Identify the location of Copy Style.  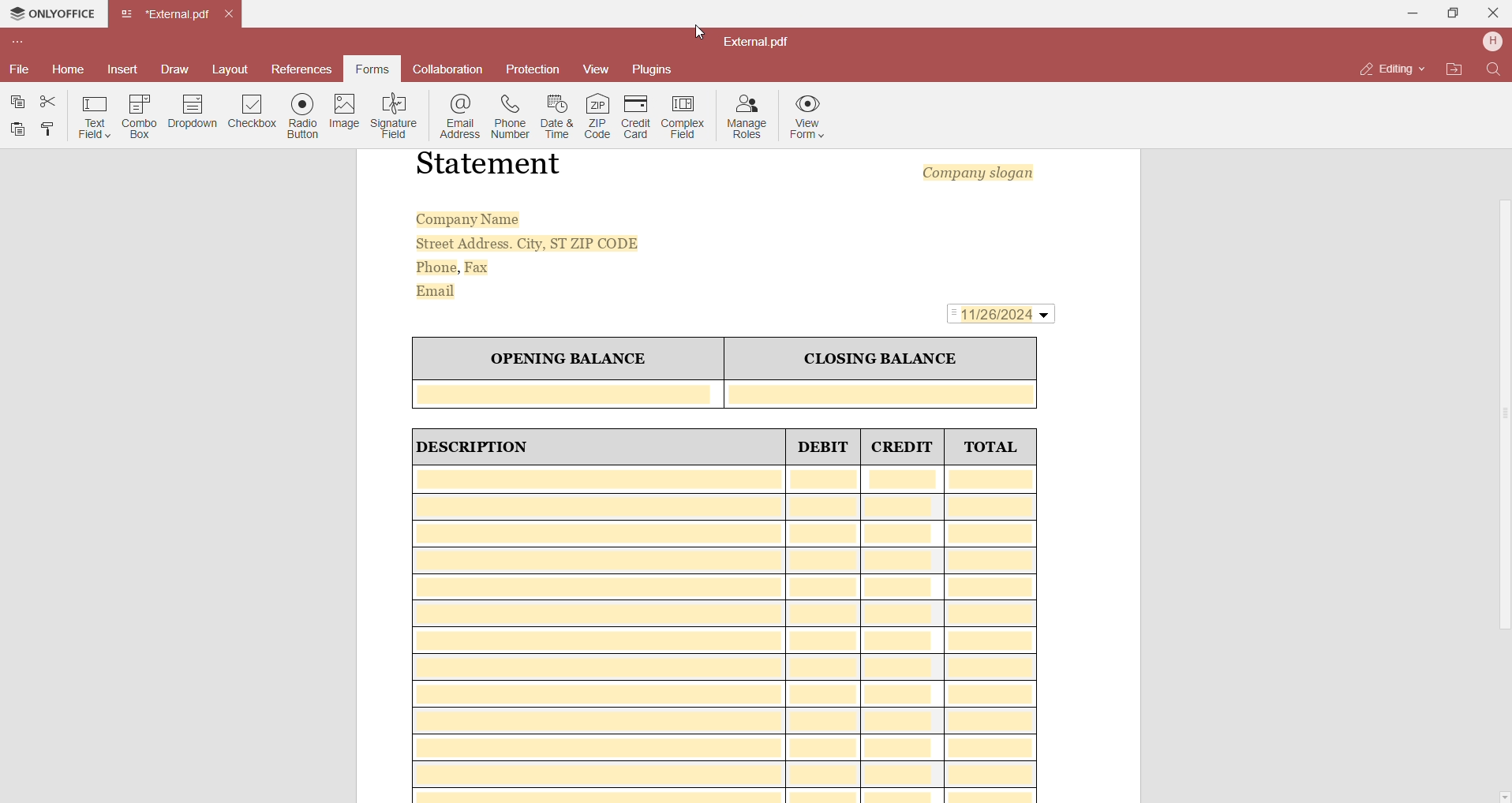
(48, 128).